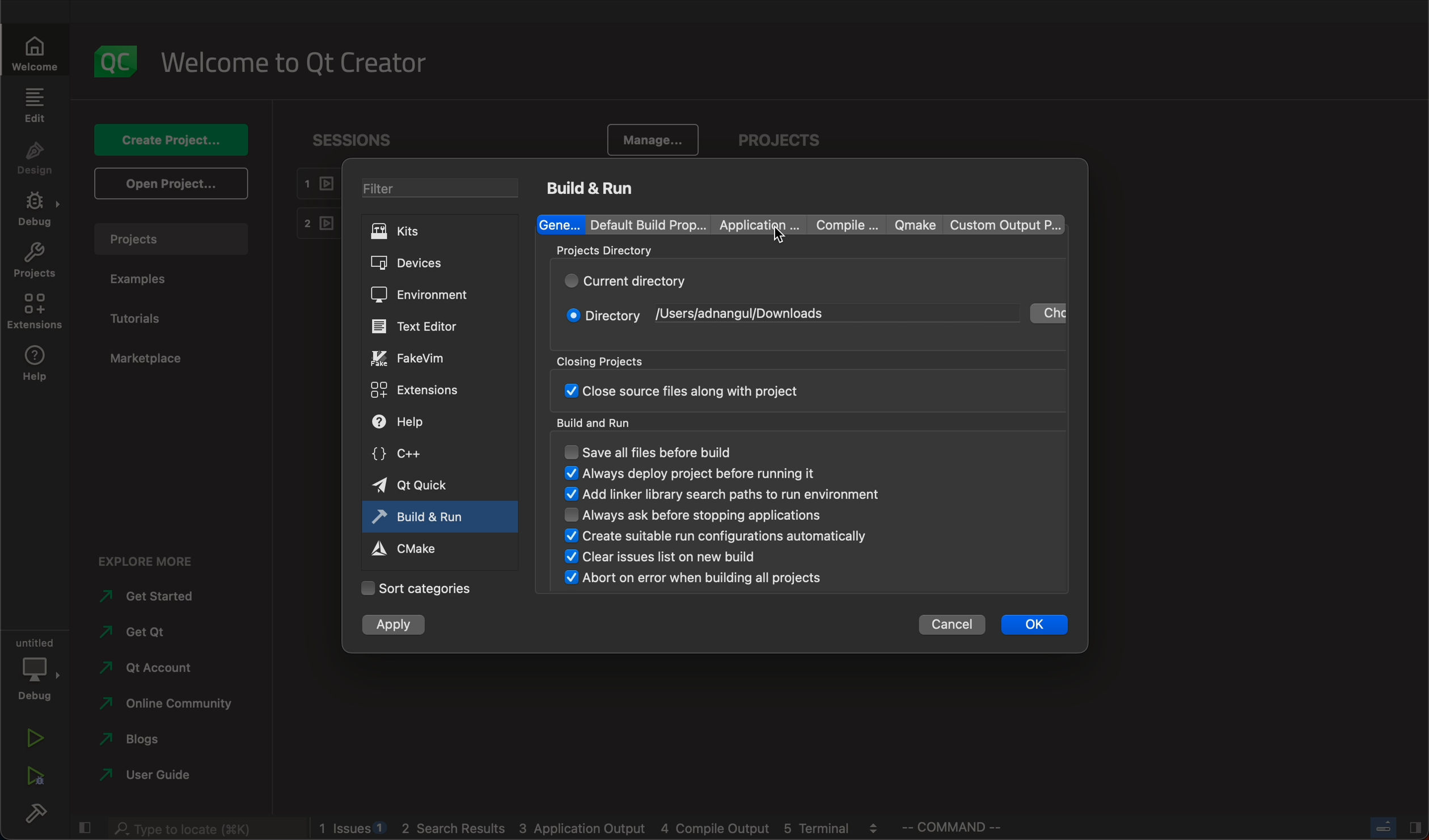 The height and width of the screenshot is (840, 1429). What do you see at coordinates (33, 670) in the screenshot?
I see `debug` at bounding box center [33, 670].